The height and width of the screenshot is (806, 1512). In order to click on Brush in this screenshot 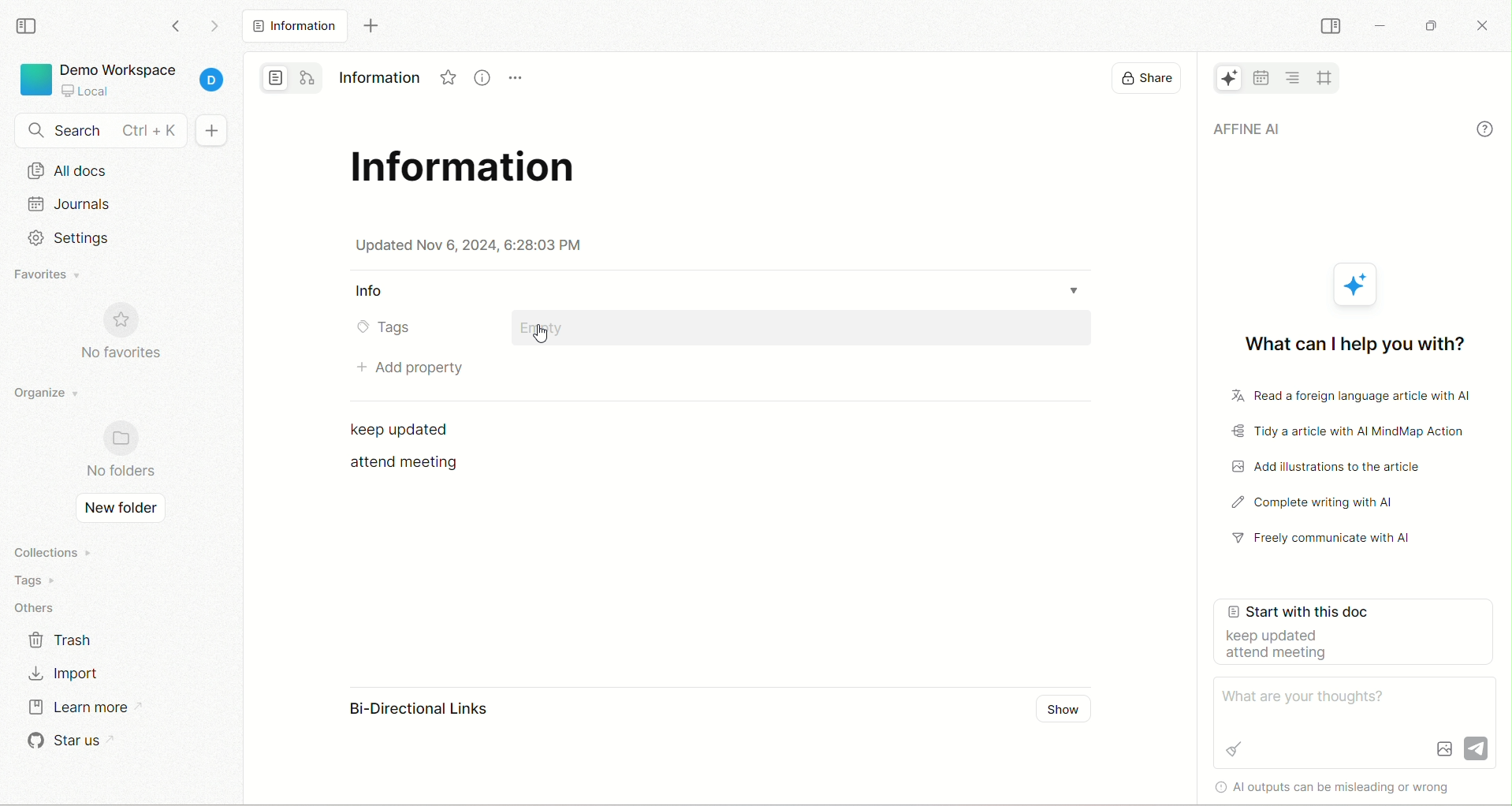, I will do `click(1234, 748)`.